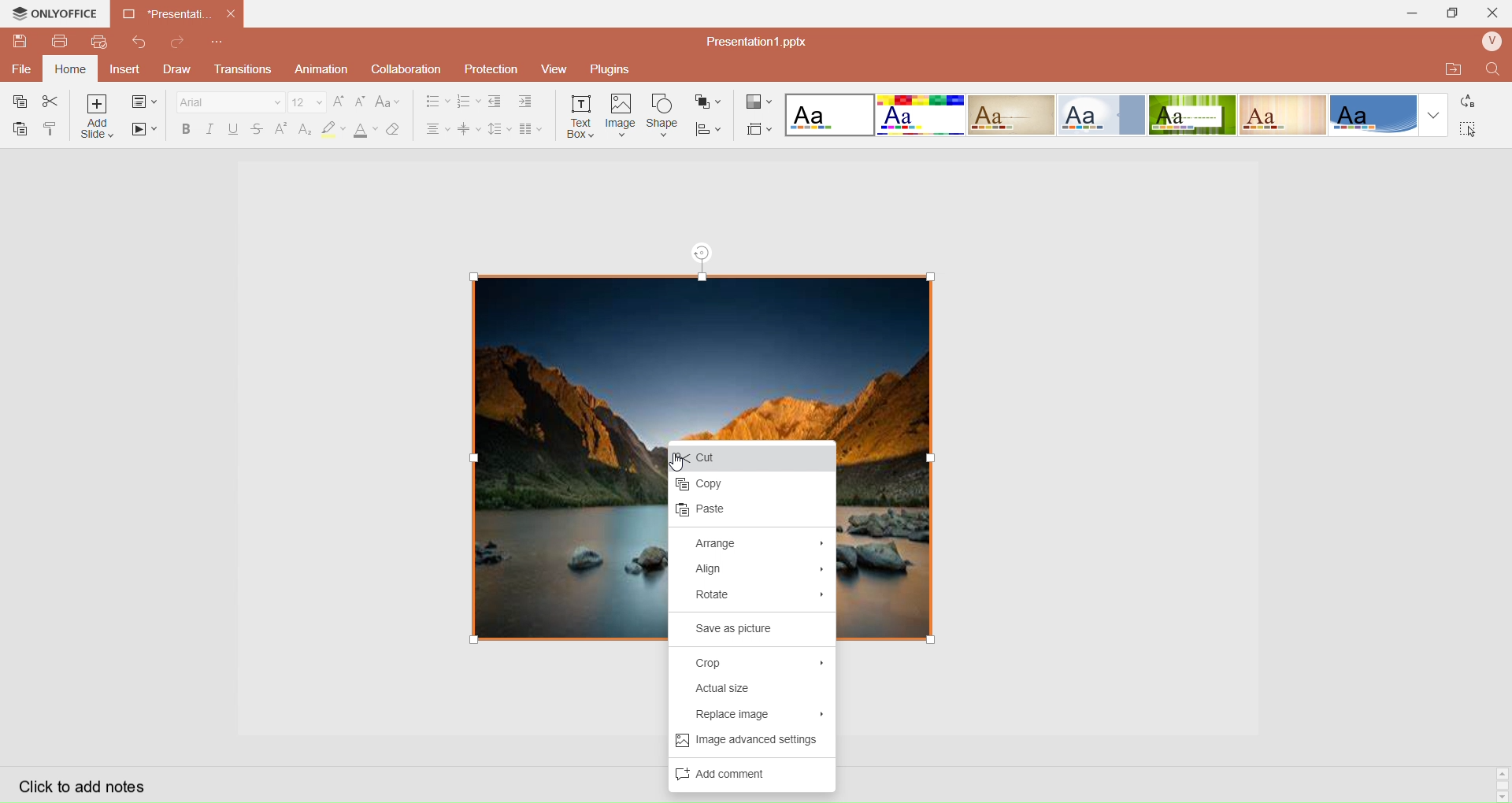 This screenshot has width=1512, height=803. Describe the element at coordinates (1495, 71) in the screenshot. I see `Find` at that location.